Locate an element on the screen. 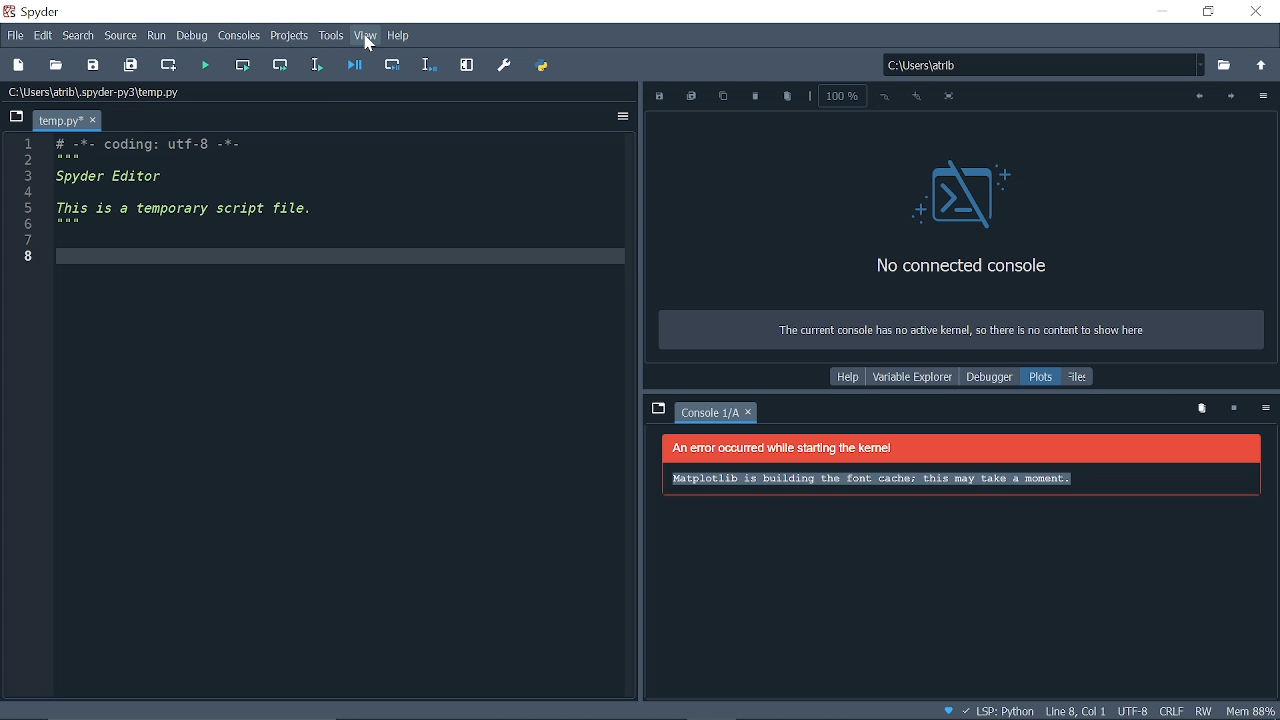 The image size is (1280, 720). Run file is located at coordinates (208, 64).